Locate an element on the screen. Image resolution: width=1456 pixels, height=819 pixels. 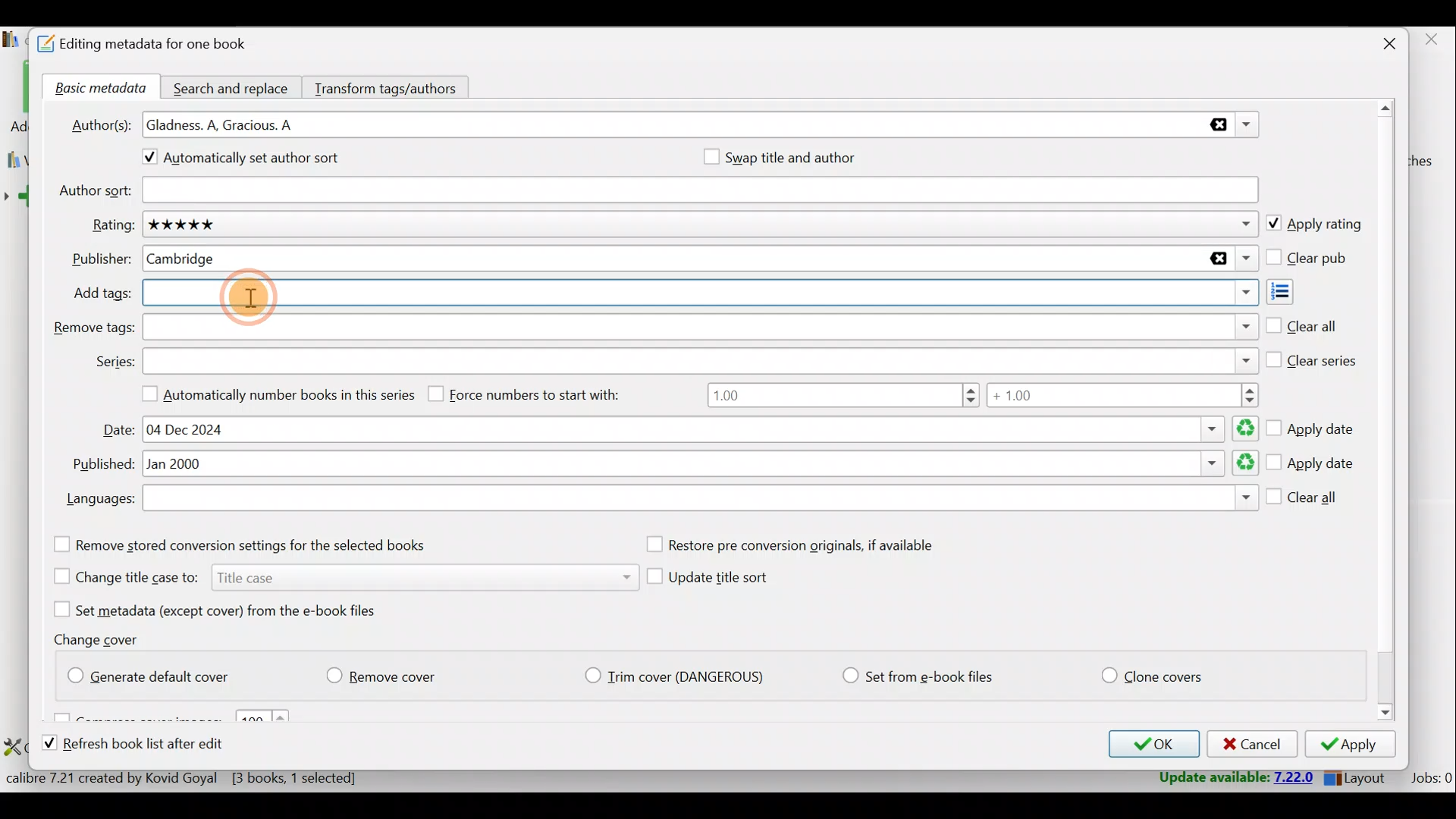
Apply is located at coordinates (1355, 746).